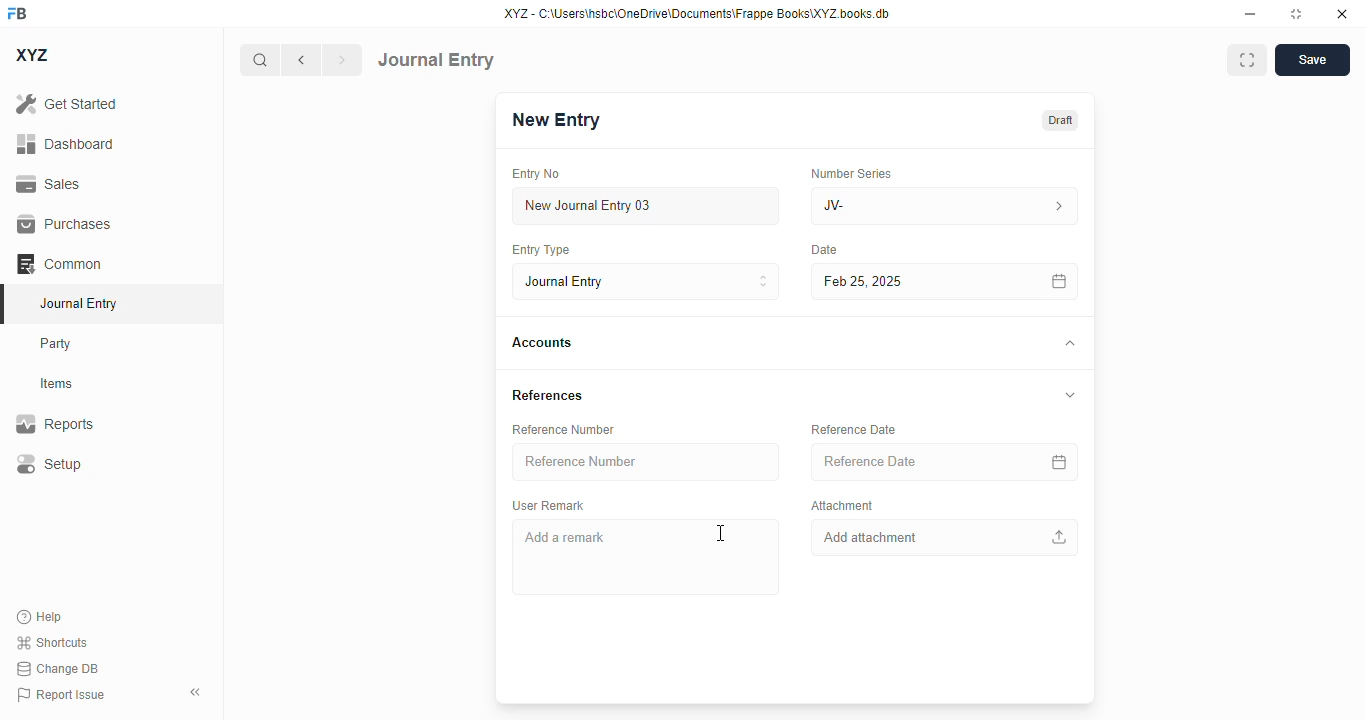 The width and height of the screenshot is (1366, 720). I want to click on cursor, so click(722, 532).